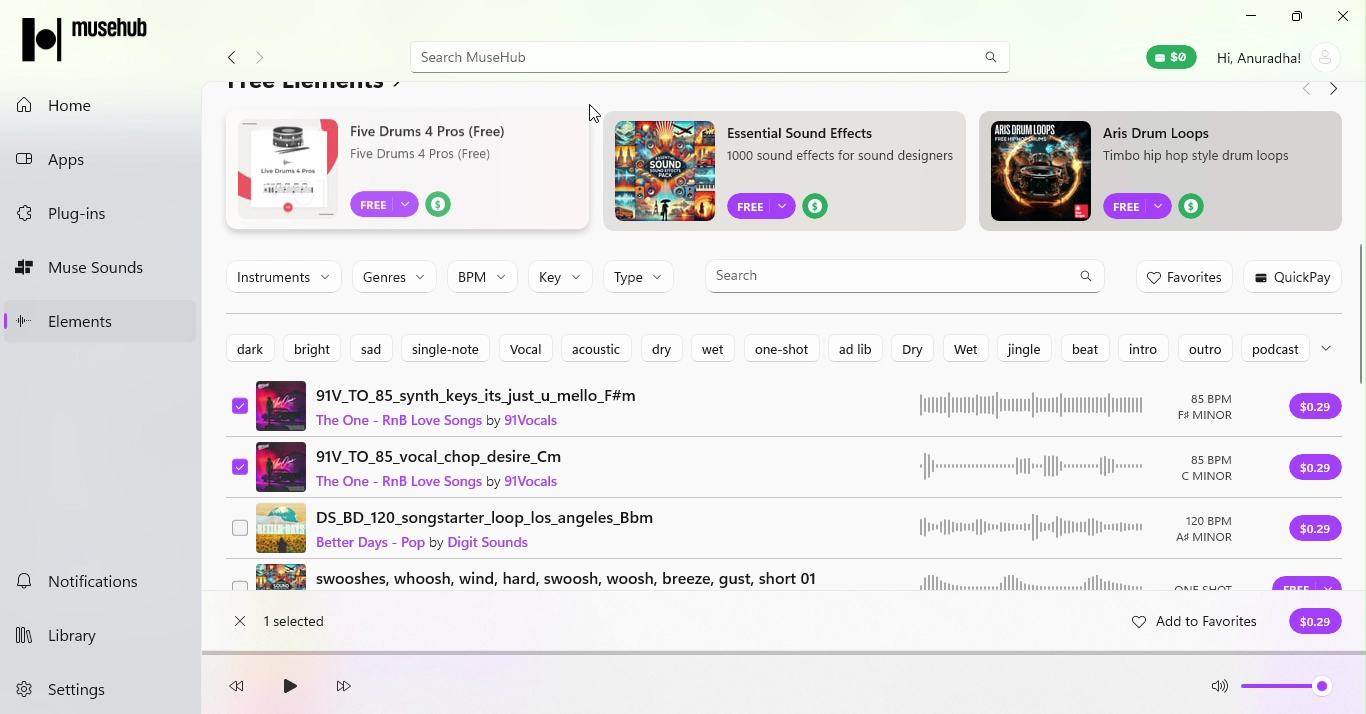  I want to click on Settings, so click(76, 691).